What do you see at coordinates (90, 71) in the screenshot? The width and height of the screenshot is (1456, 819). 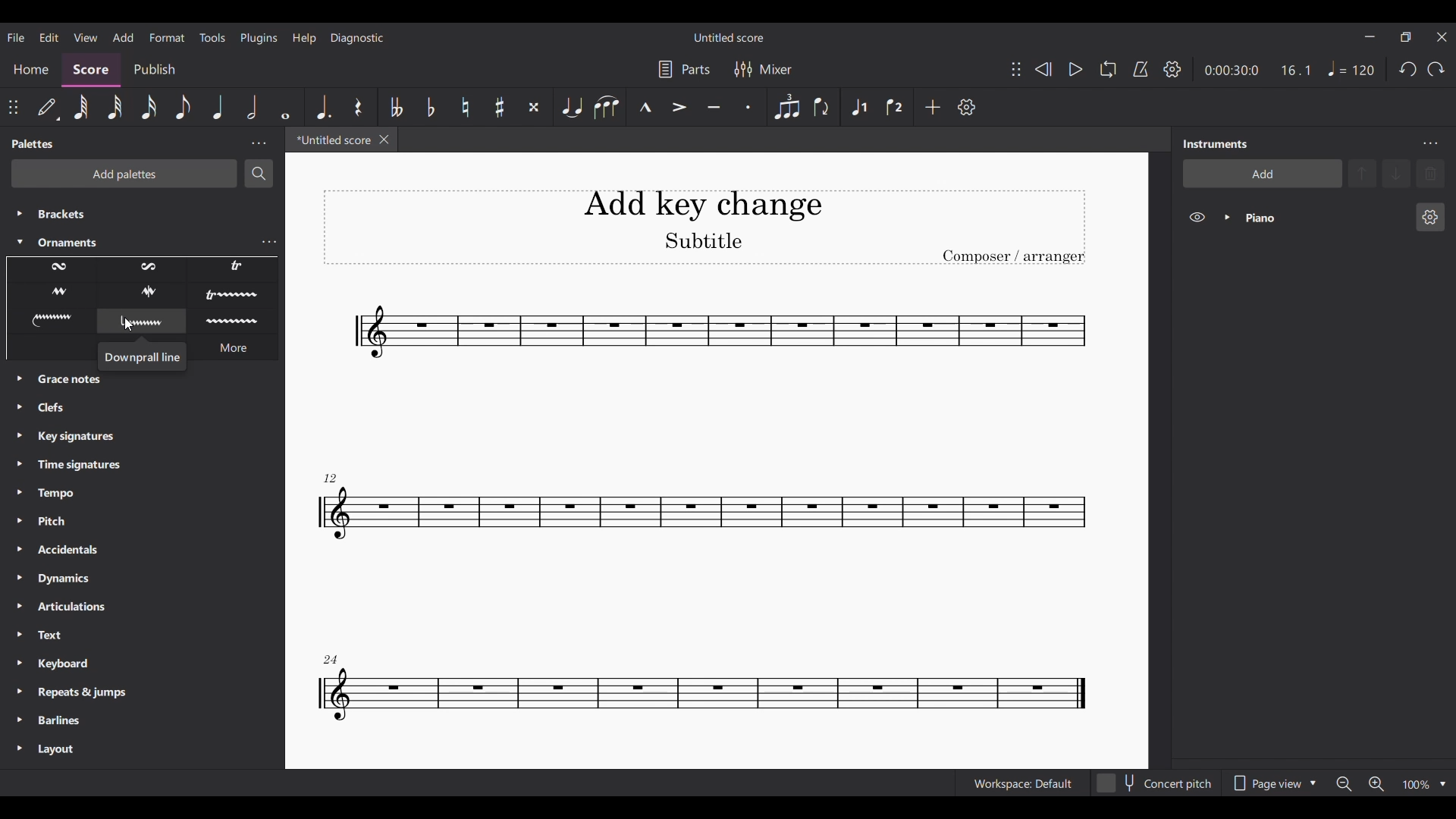 I see `Score section` at bounding box center [90, 71].